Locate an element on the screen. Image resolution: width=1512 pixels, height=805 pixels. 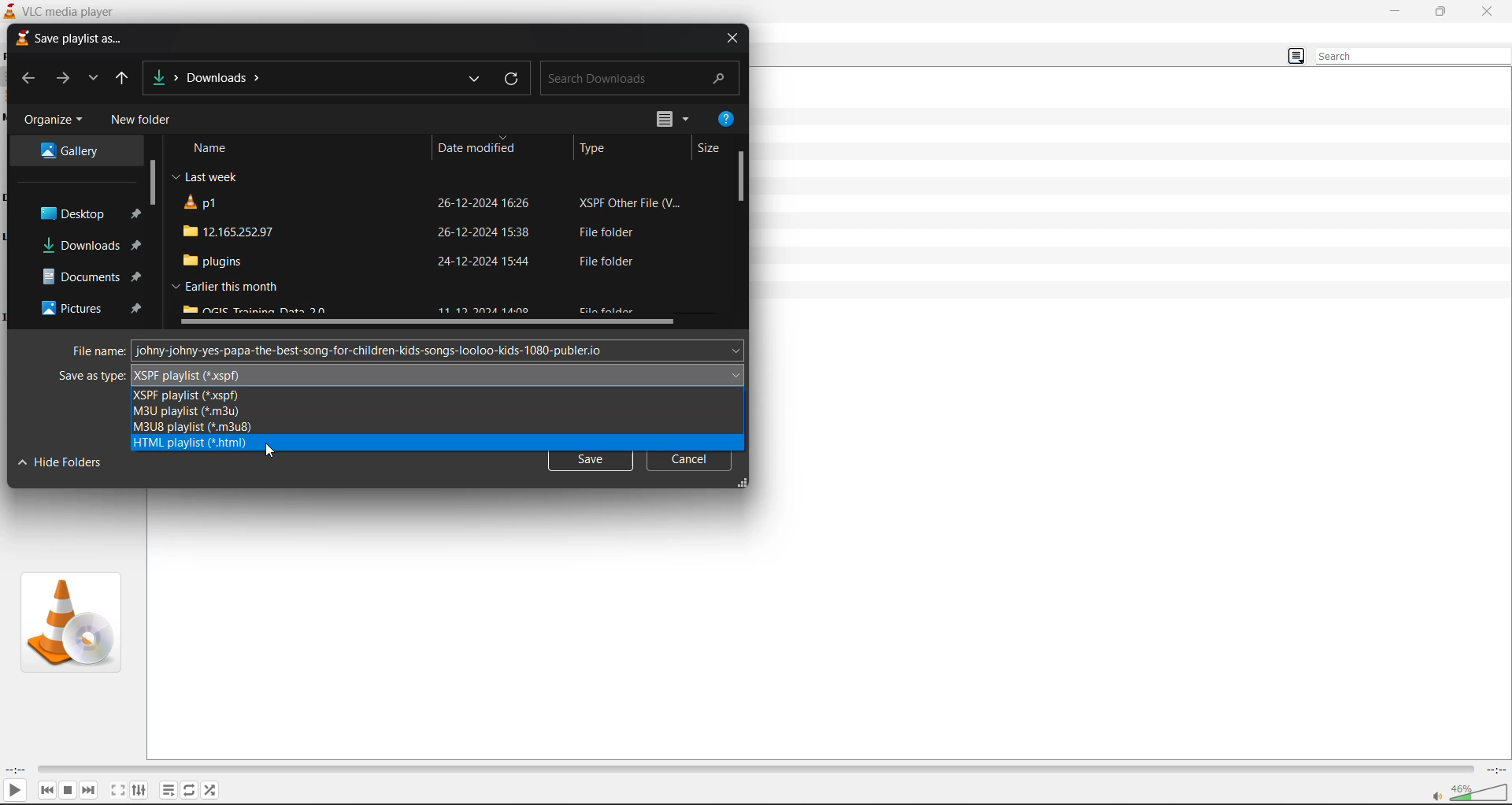
settings is located at coordinates (141, 788).